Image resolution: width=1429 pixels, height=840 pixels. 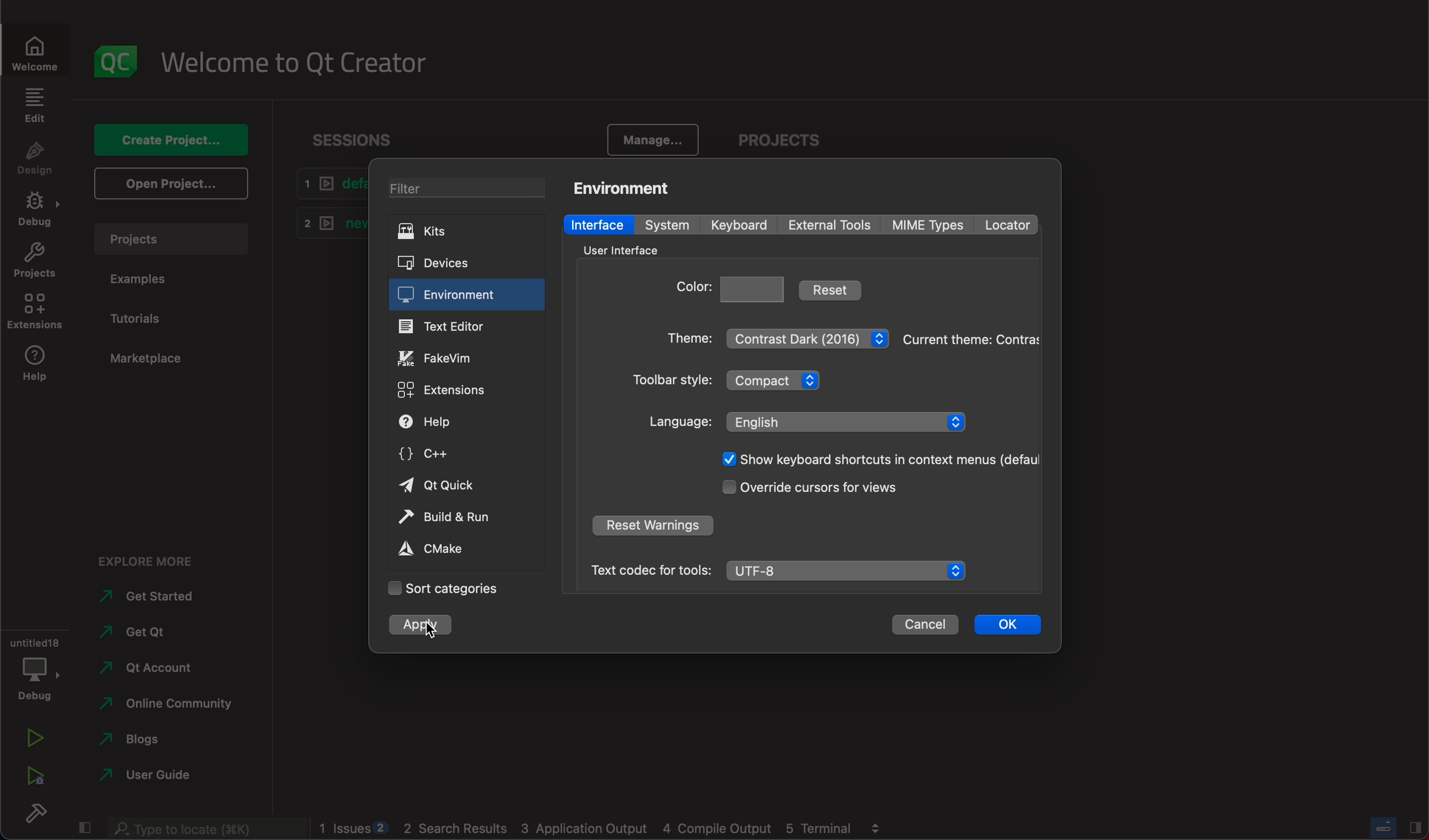 I want to click on ok, so click(x=1006, y=626).